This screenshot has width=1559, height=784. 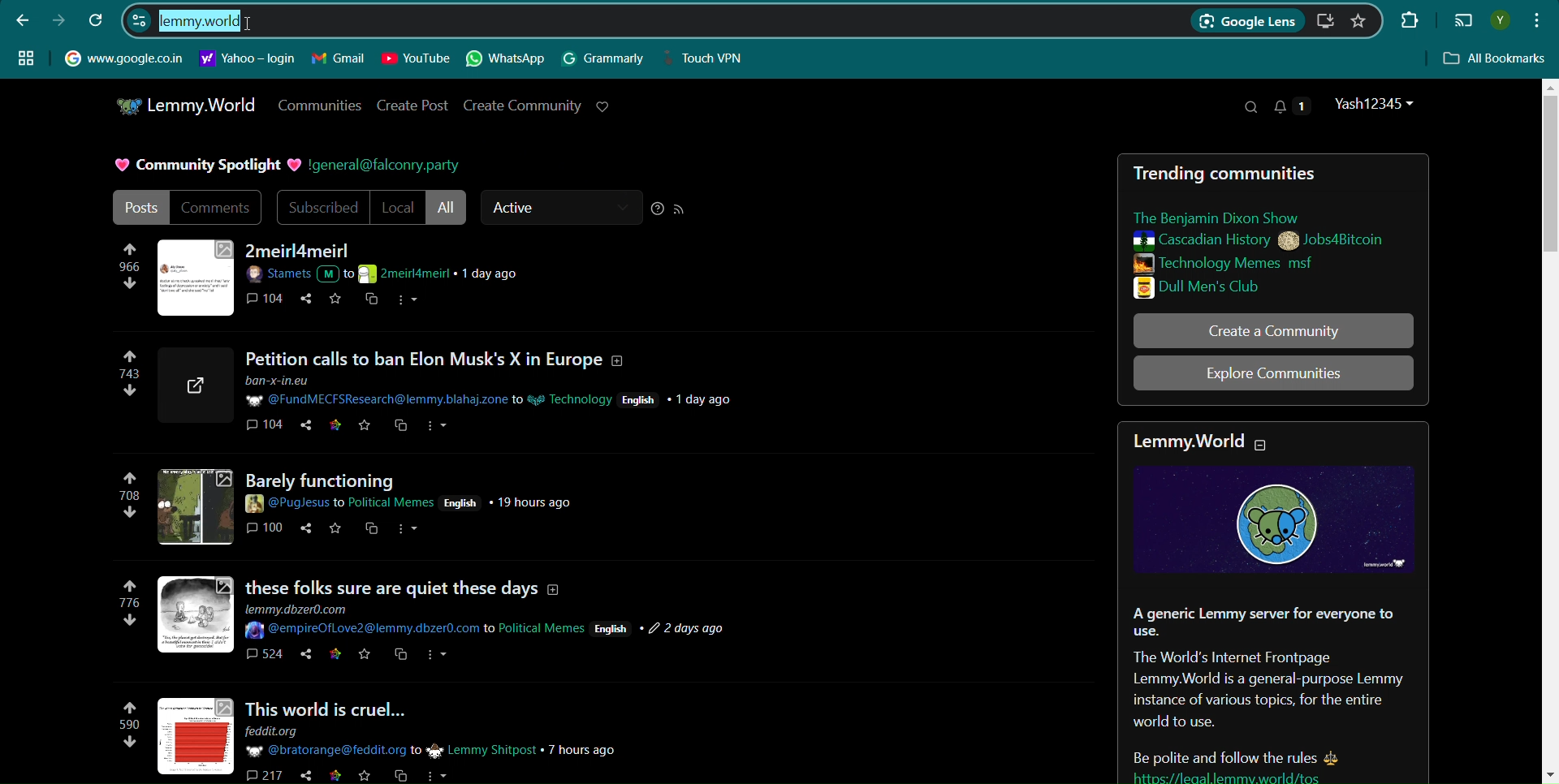 What do you see at coordinates (1265, 776) in the screenshot?
I see `Link` at bounding box center [1265, 776].